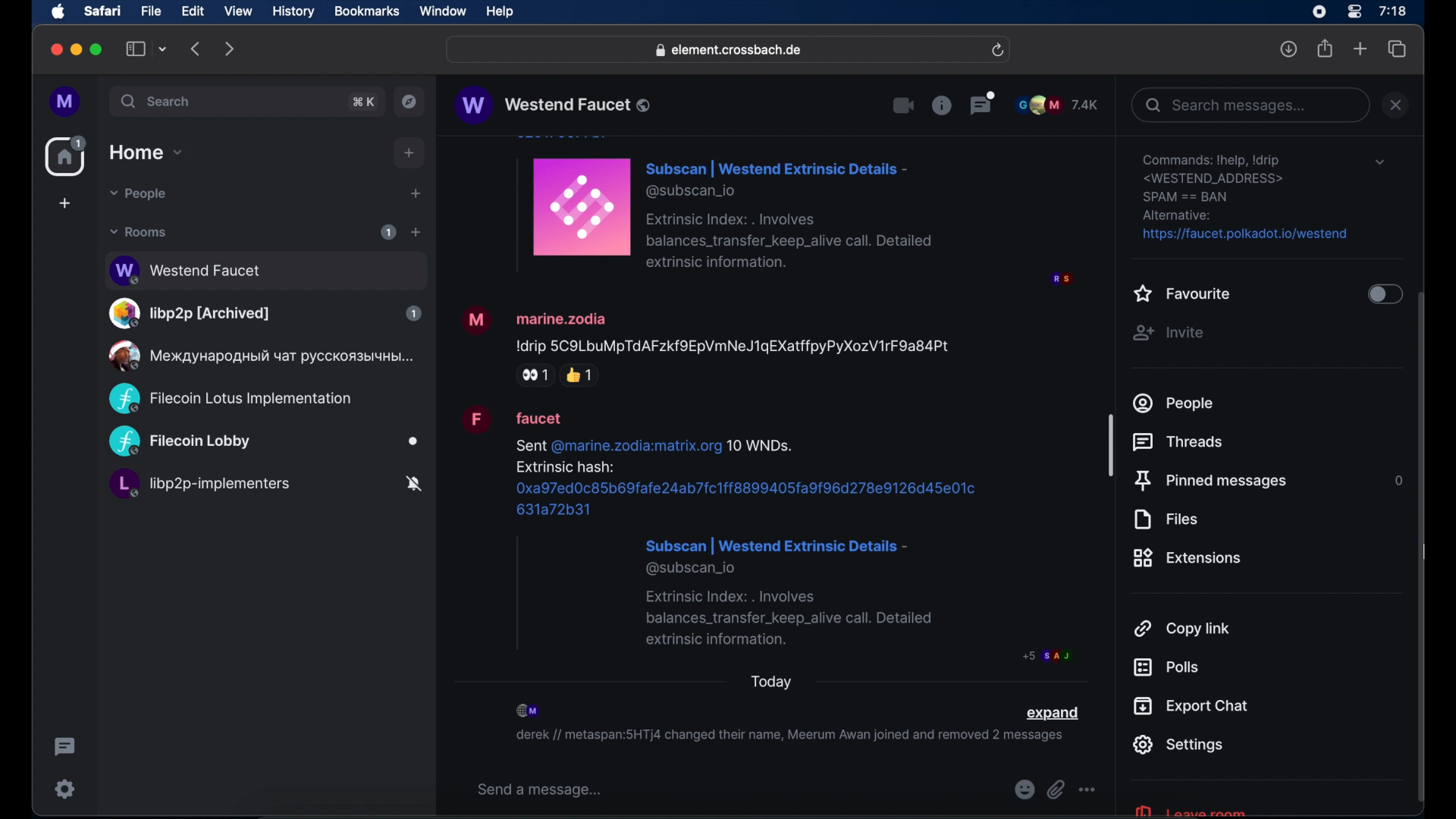 The image size is (1456, 819). What do you see at coordinates (1189, 809) in the screenshot?
I see `leave room` at bounding box center [1189, 809].